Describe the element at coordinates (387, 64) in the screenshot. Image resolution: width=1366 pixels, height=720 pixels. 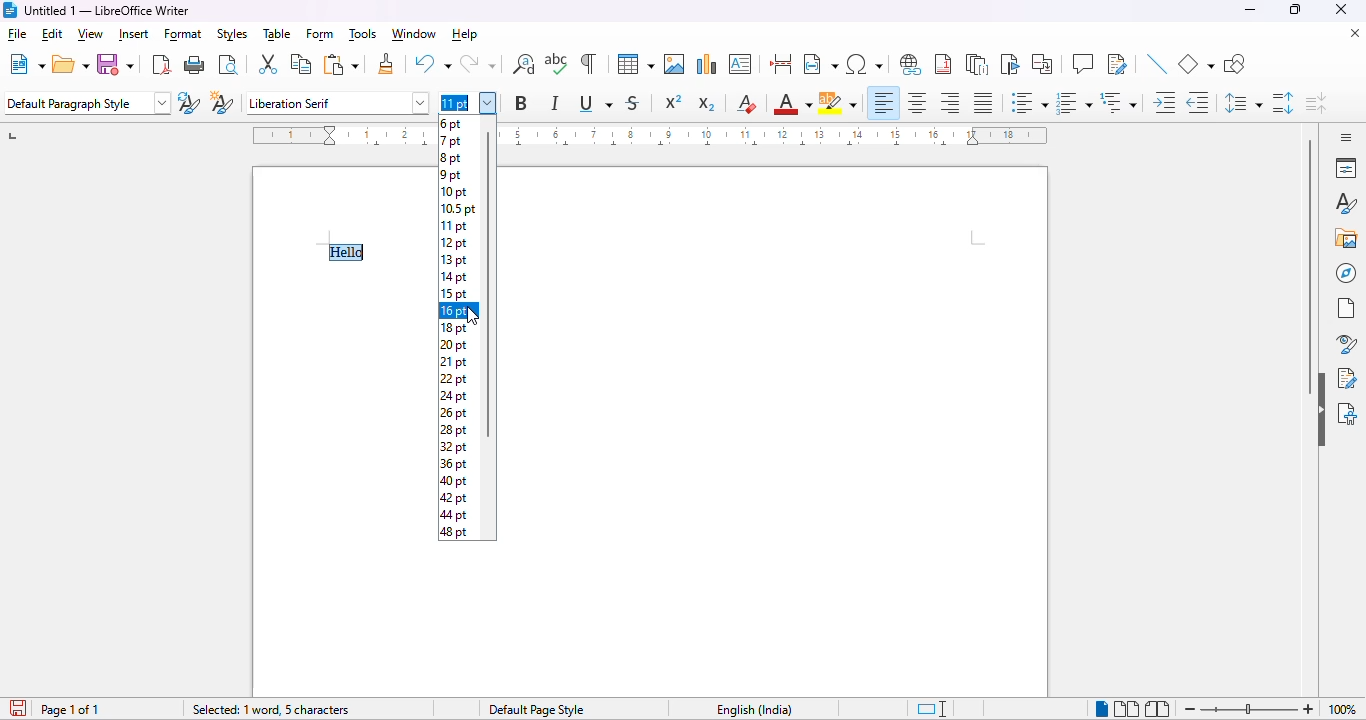
I see `clone formatting` at that location.